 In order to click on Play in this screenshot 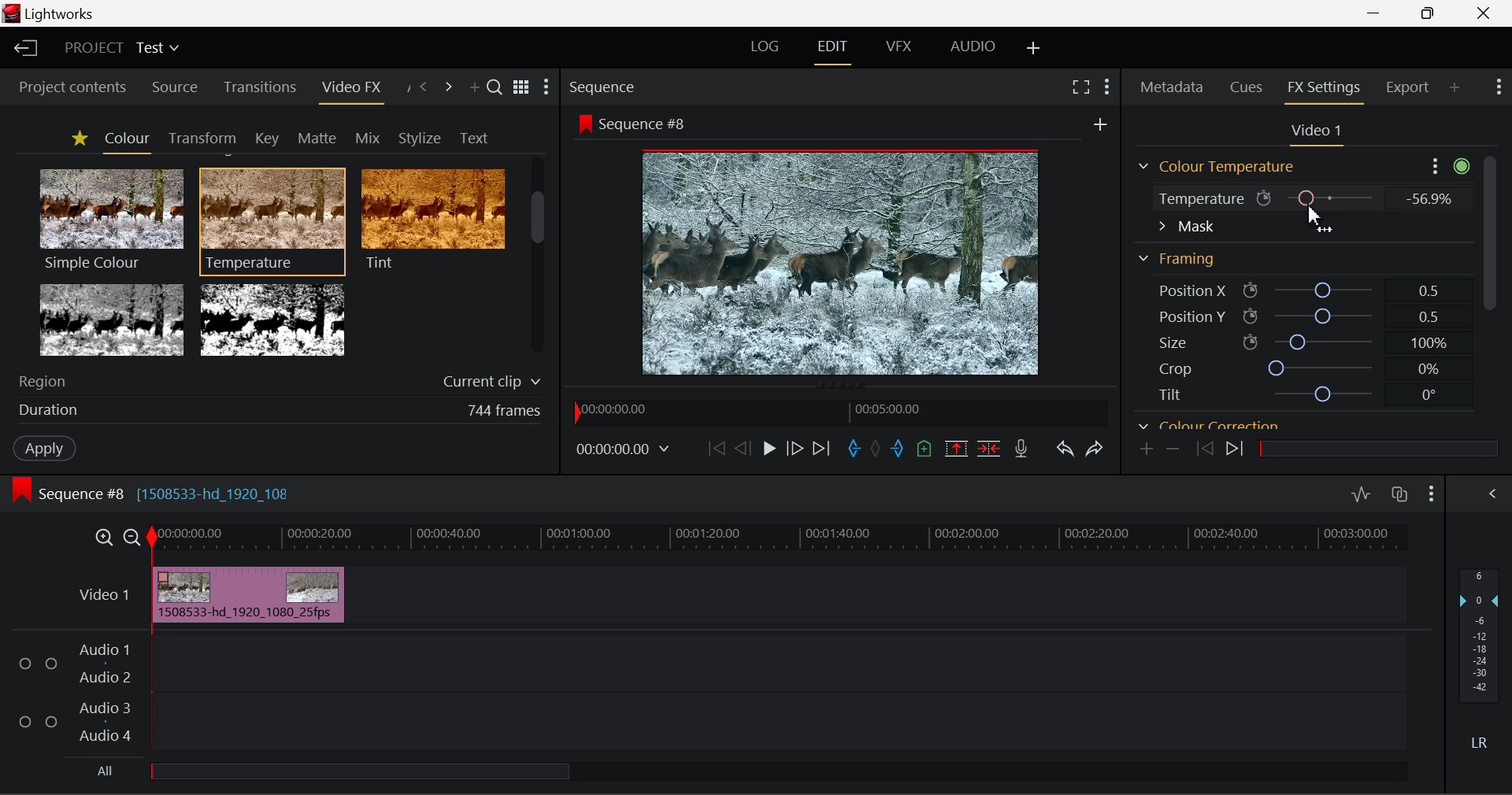, I will do `click(769, 451)`.